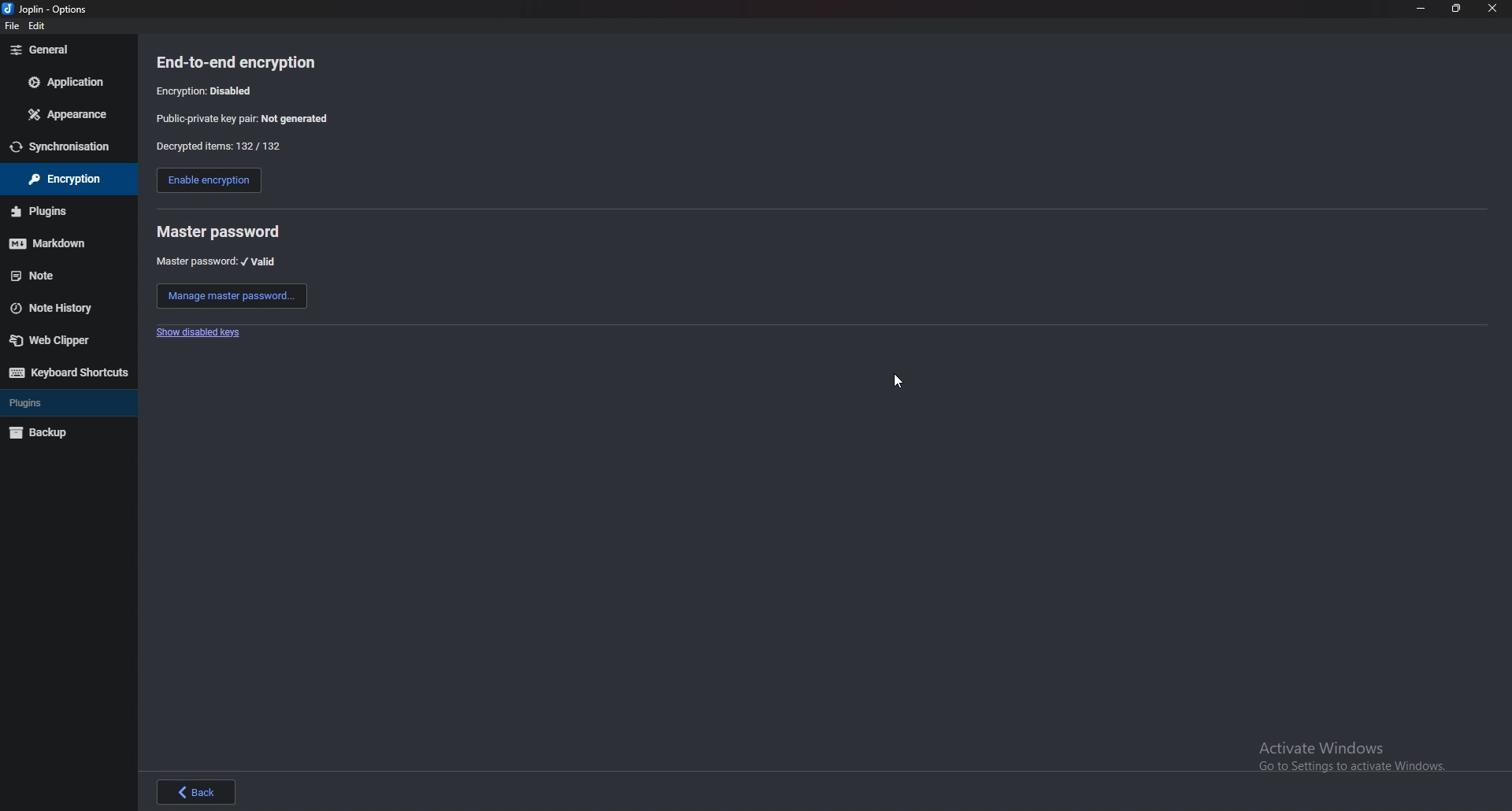 The height and width of the screenshot is (811, 1512). Describe the element at coordinates (63, 243) in the screenshot. I see `markdown` at that location.